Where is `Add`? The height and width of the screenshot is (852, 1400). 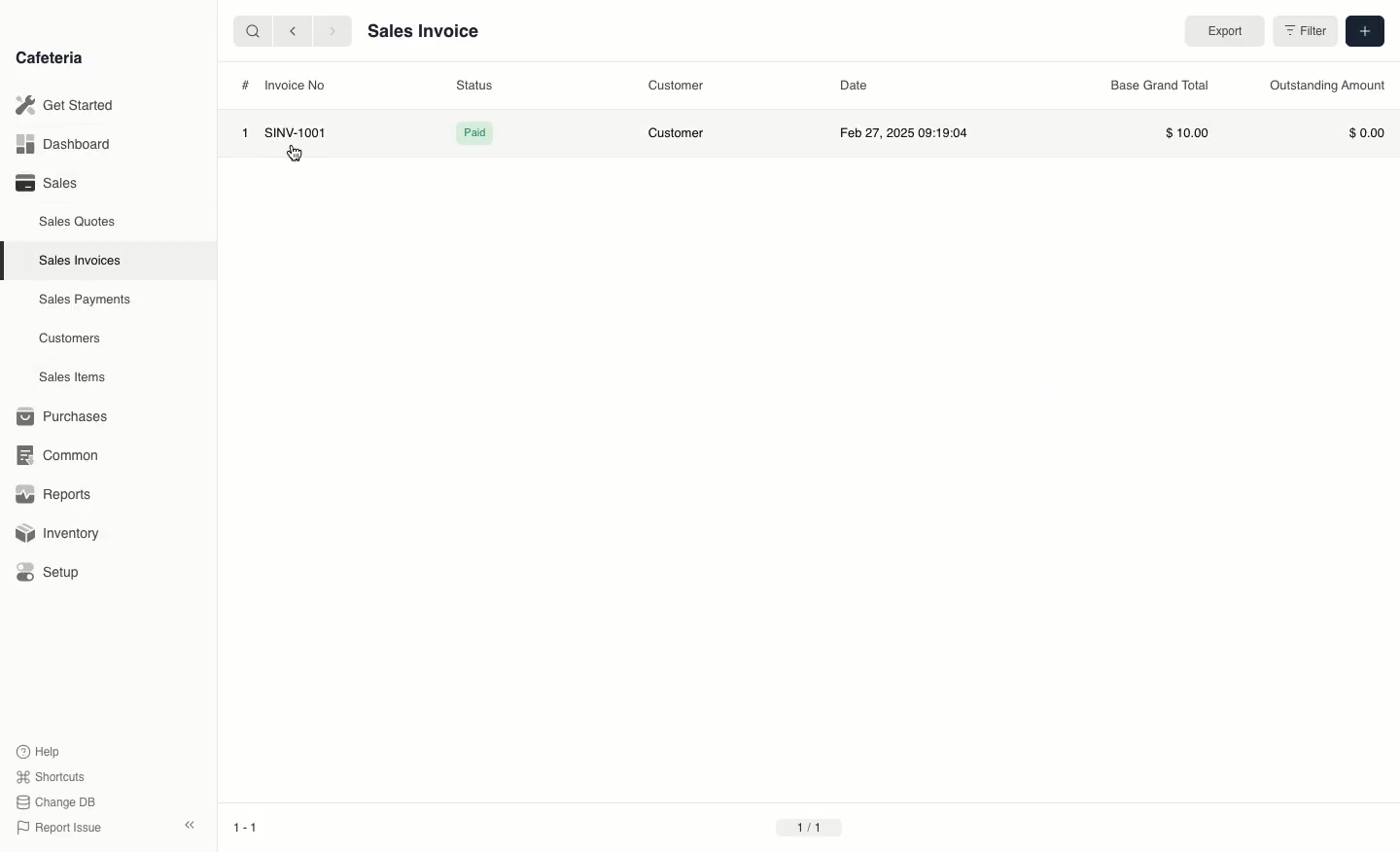 Add is located at coordinates (1365, 30).